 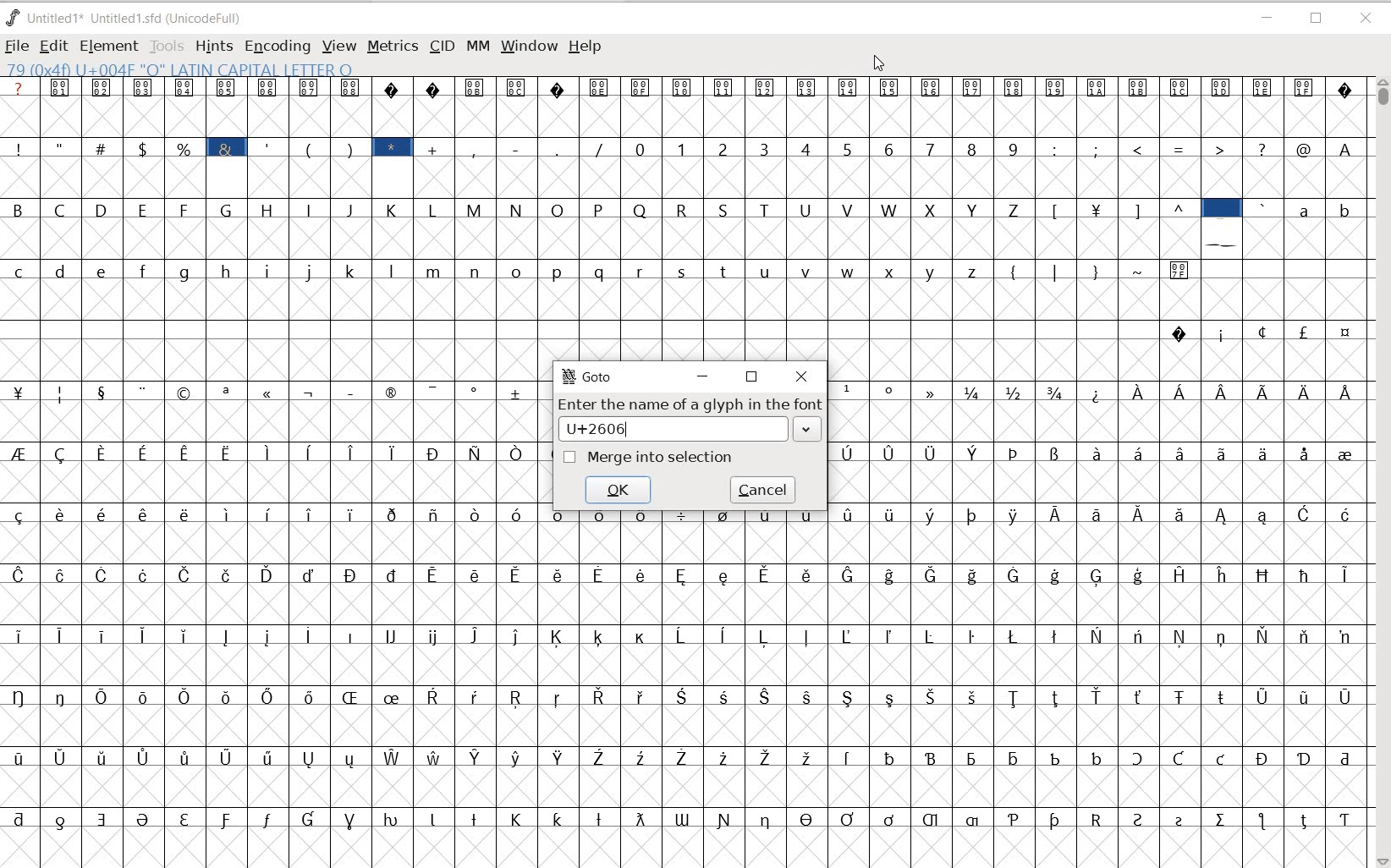 What do you see at coordinates (690, 405) in the screenshot?
I see `Enter the name of a glyph in the font` at bounding box center [690, 405].